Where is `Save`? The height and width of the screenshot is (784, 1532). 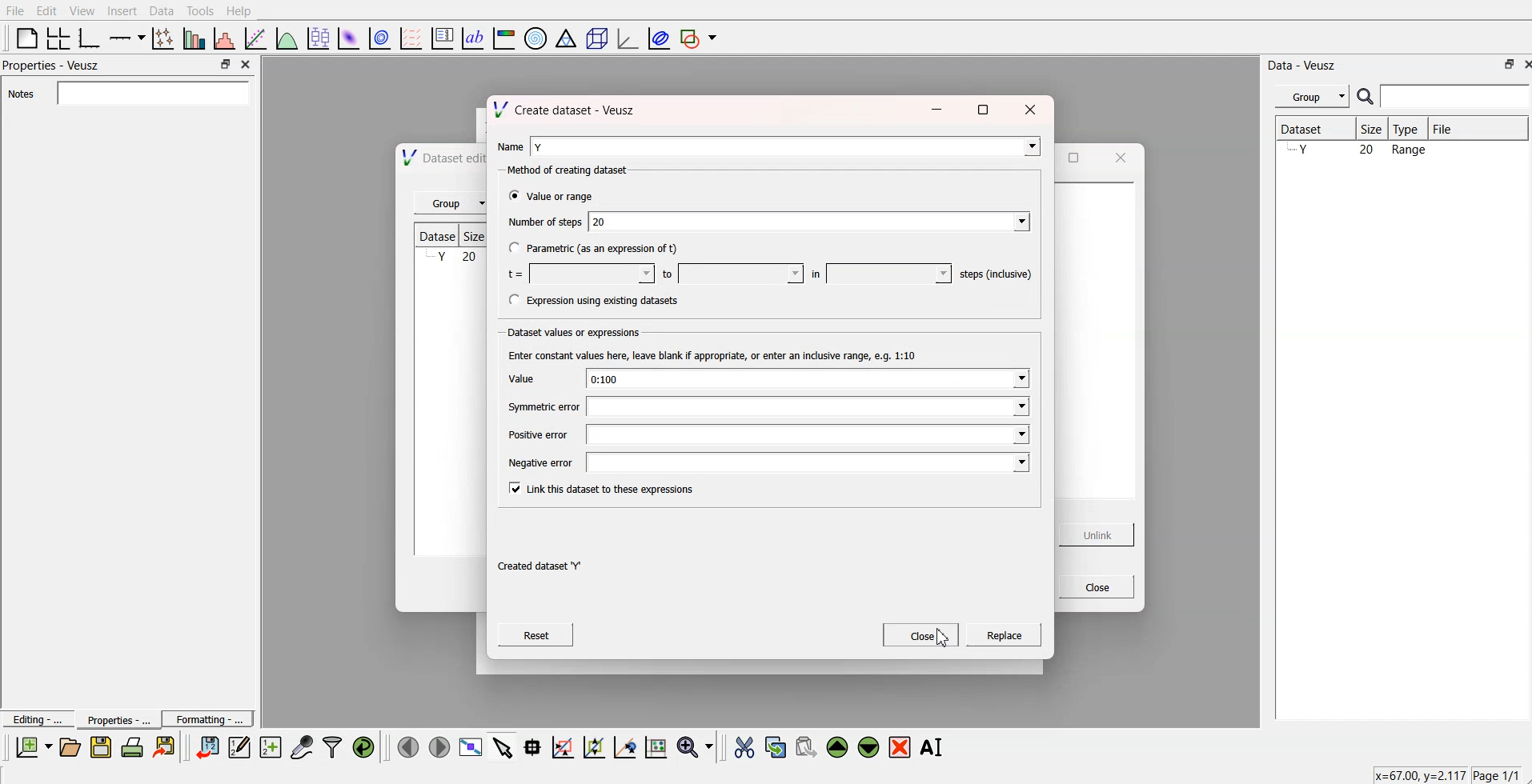 Save is located at coordinates (101, 747).